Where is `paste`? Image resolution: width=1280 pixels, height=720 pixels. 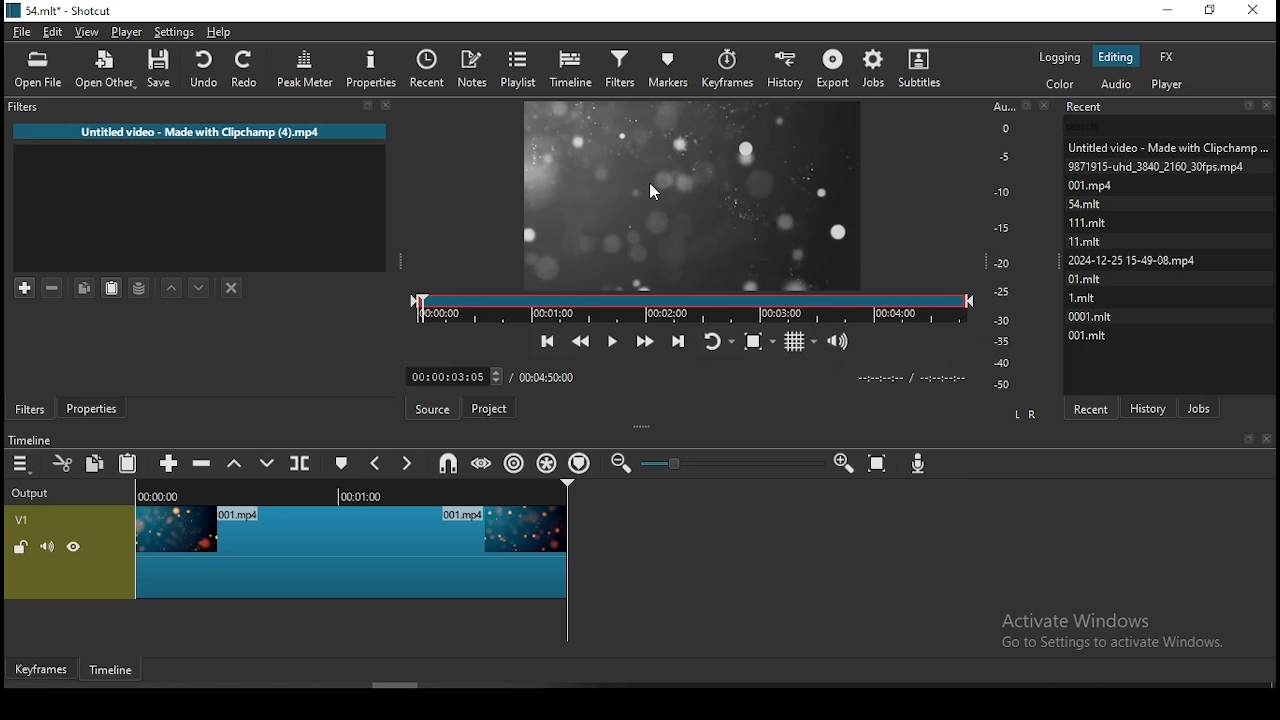
paste is located at coordinates (110, 288).